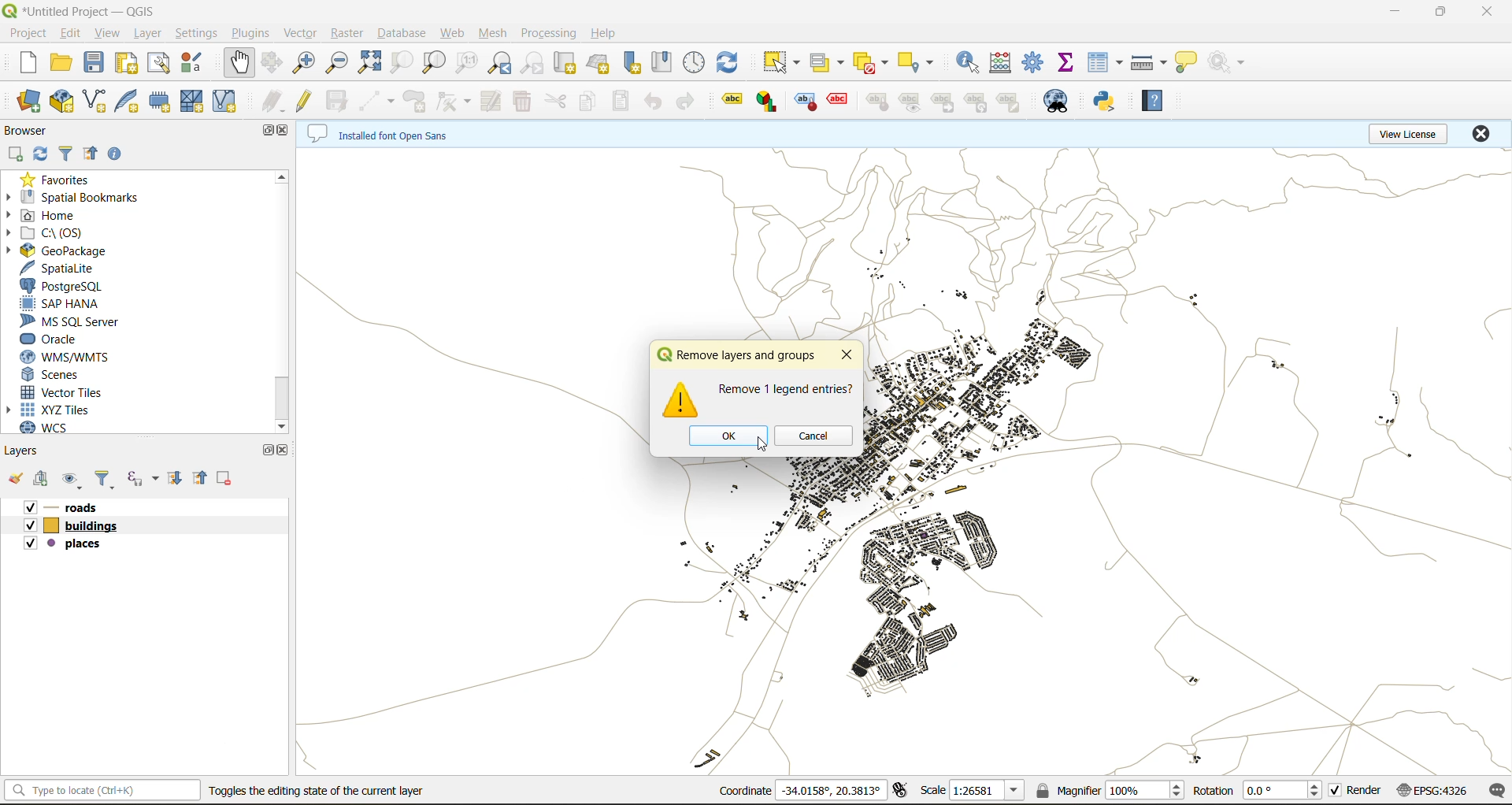  What do you see at coordinates (1494, 789) in the screenshot?
I see `log messages` at bounding box center [1494, 789].